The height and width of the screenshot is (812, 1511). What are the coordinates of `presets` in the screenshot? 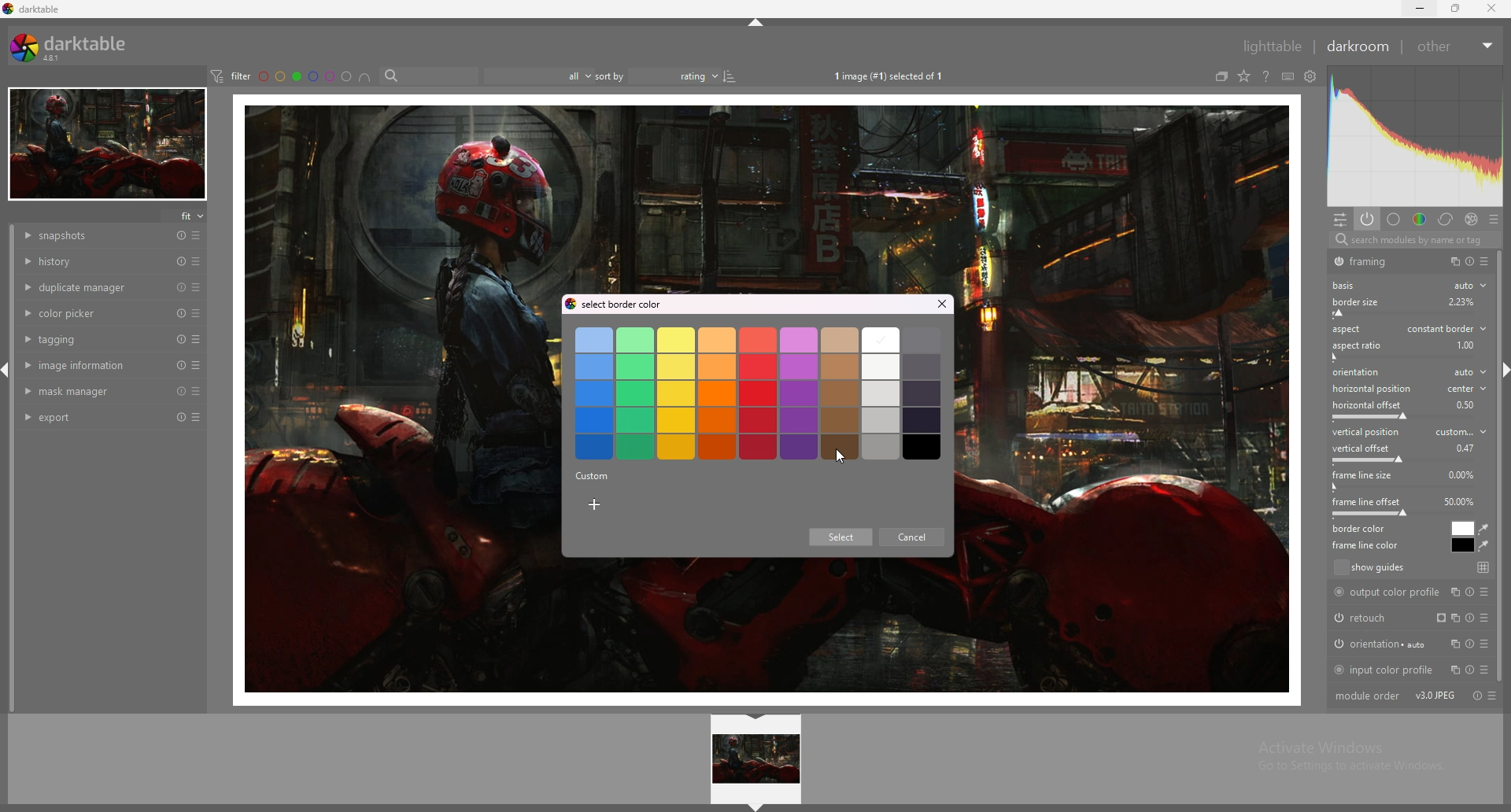 It's located at (197, 339).